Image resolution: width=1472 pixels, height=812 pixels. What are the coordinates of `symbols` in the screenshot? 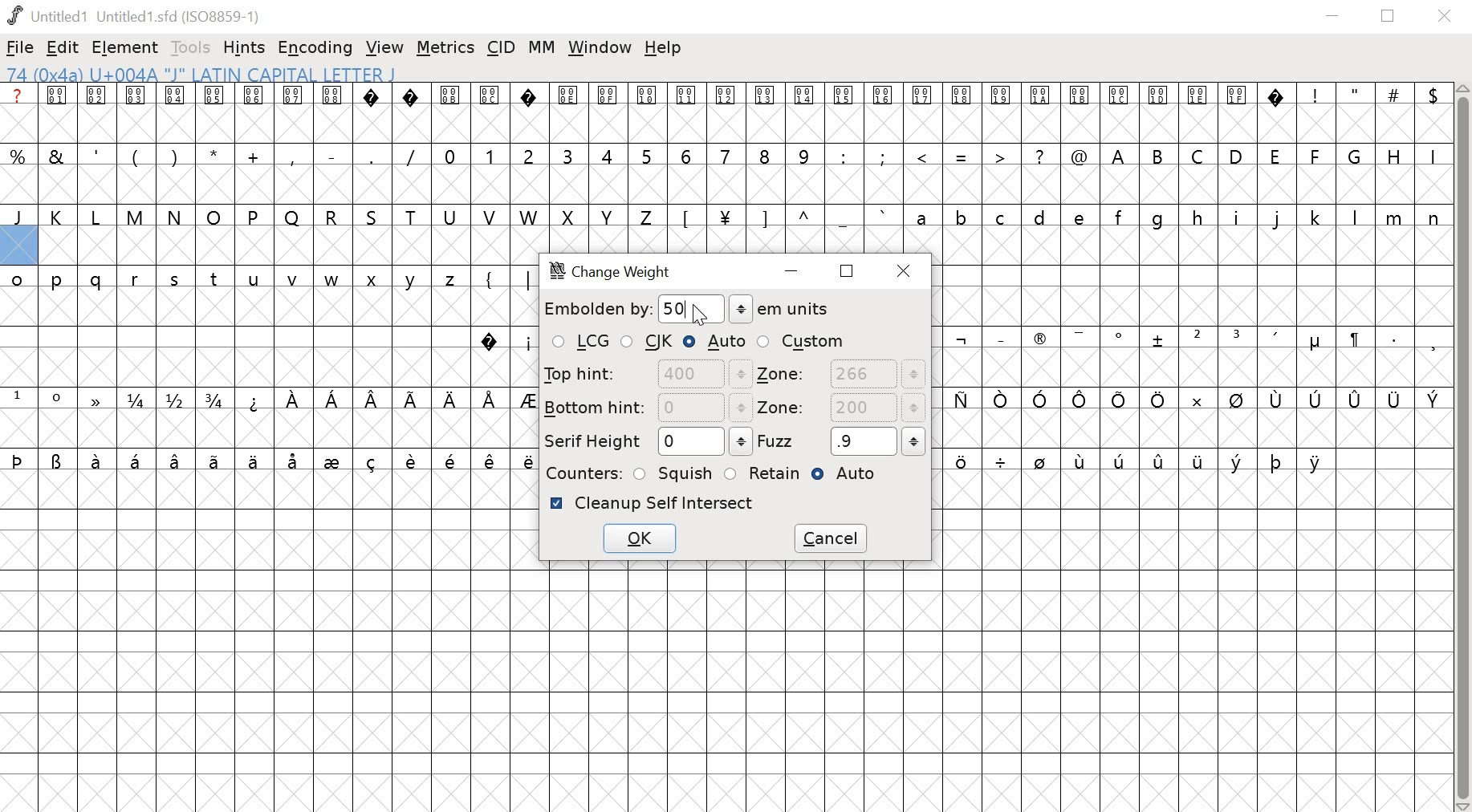 It's located at (1140, 464).